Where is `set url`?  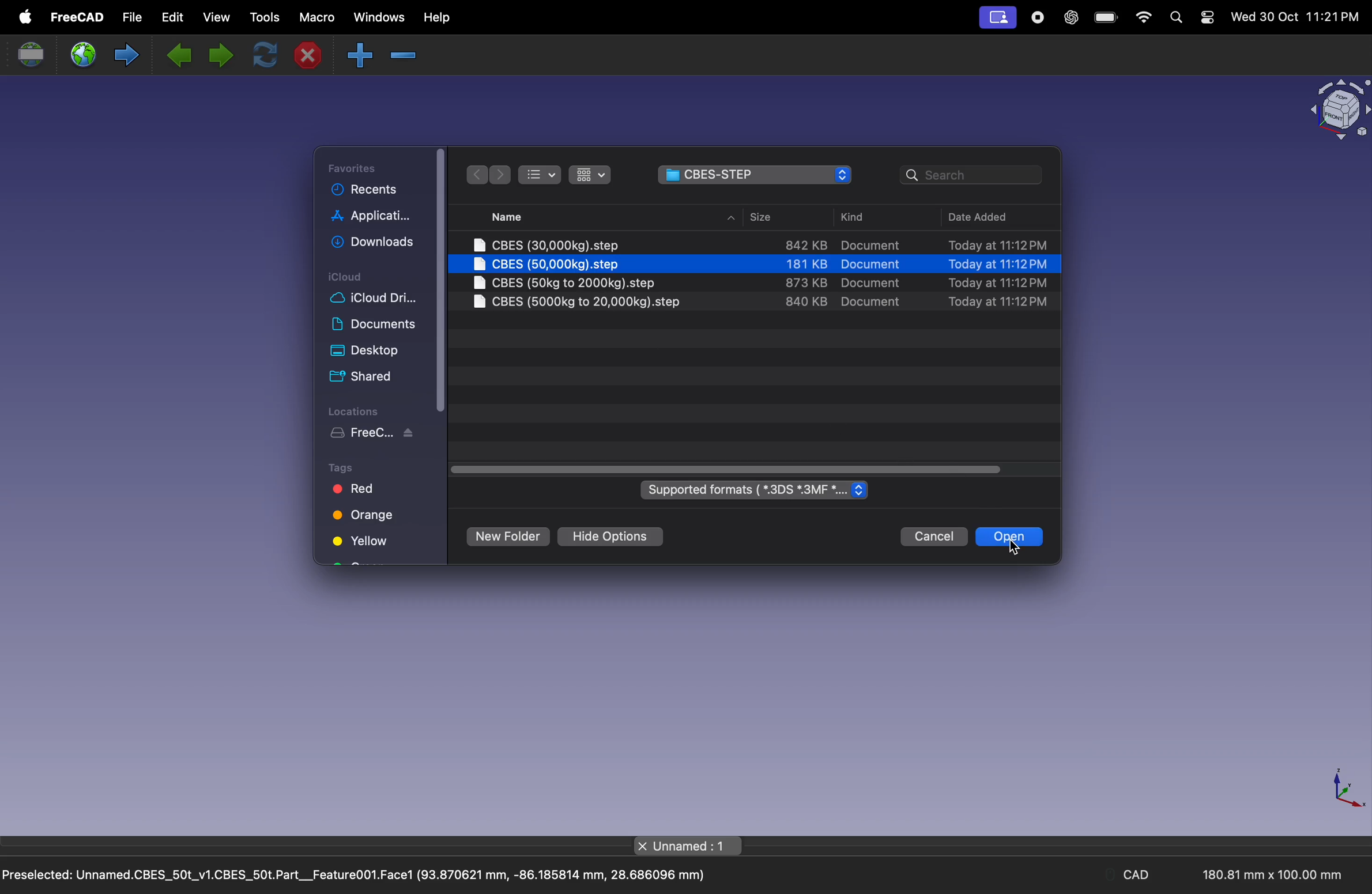 set url is located at coordinates (31, 55).